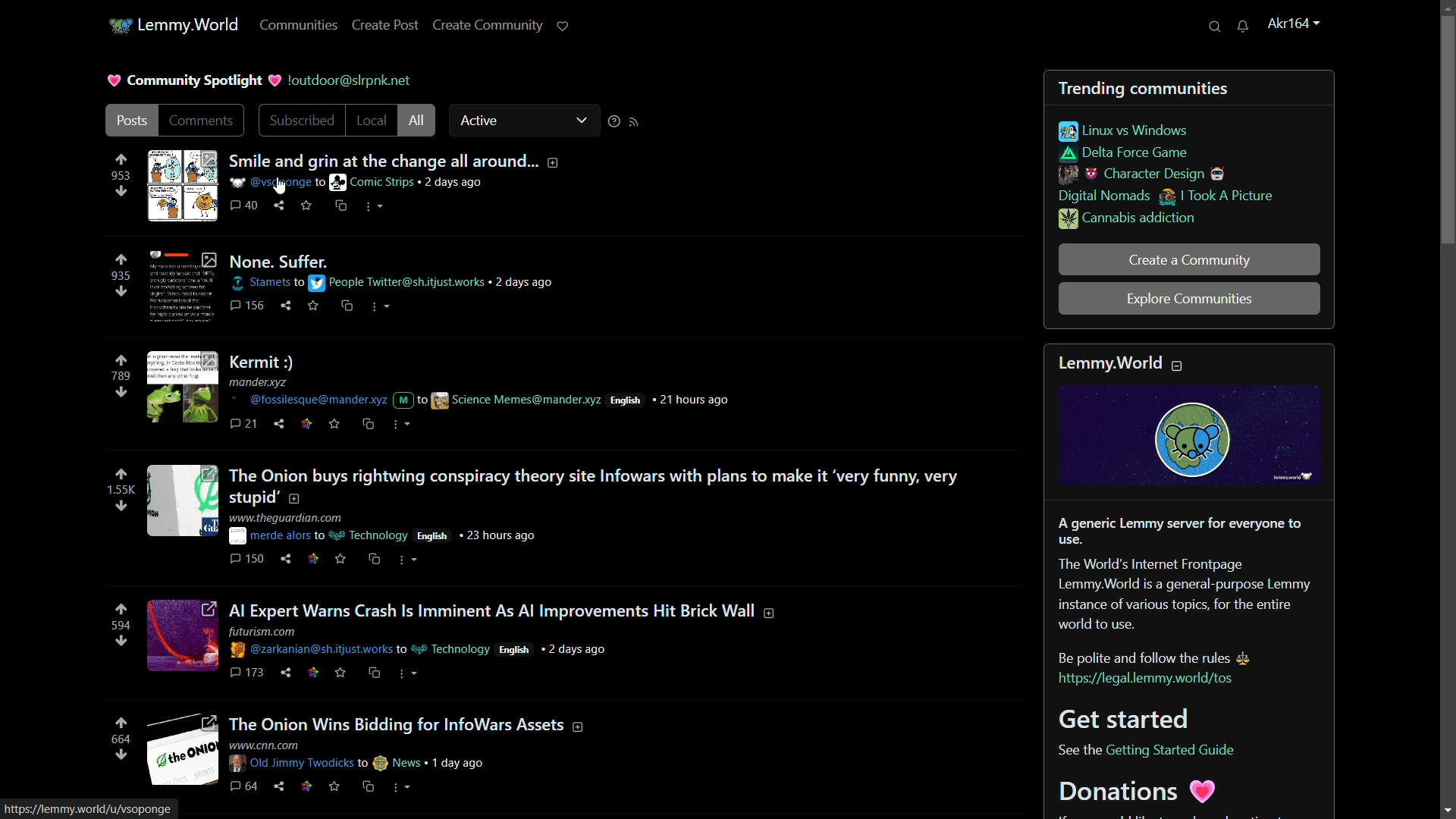 The width and height of the screenshot is (1456, 819). What do you see at coordinates (121, 361) in the screenshot?
I see `upvote` at bounding box center [121, 361].